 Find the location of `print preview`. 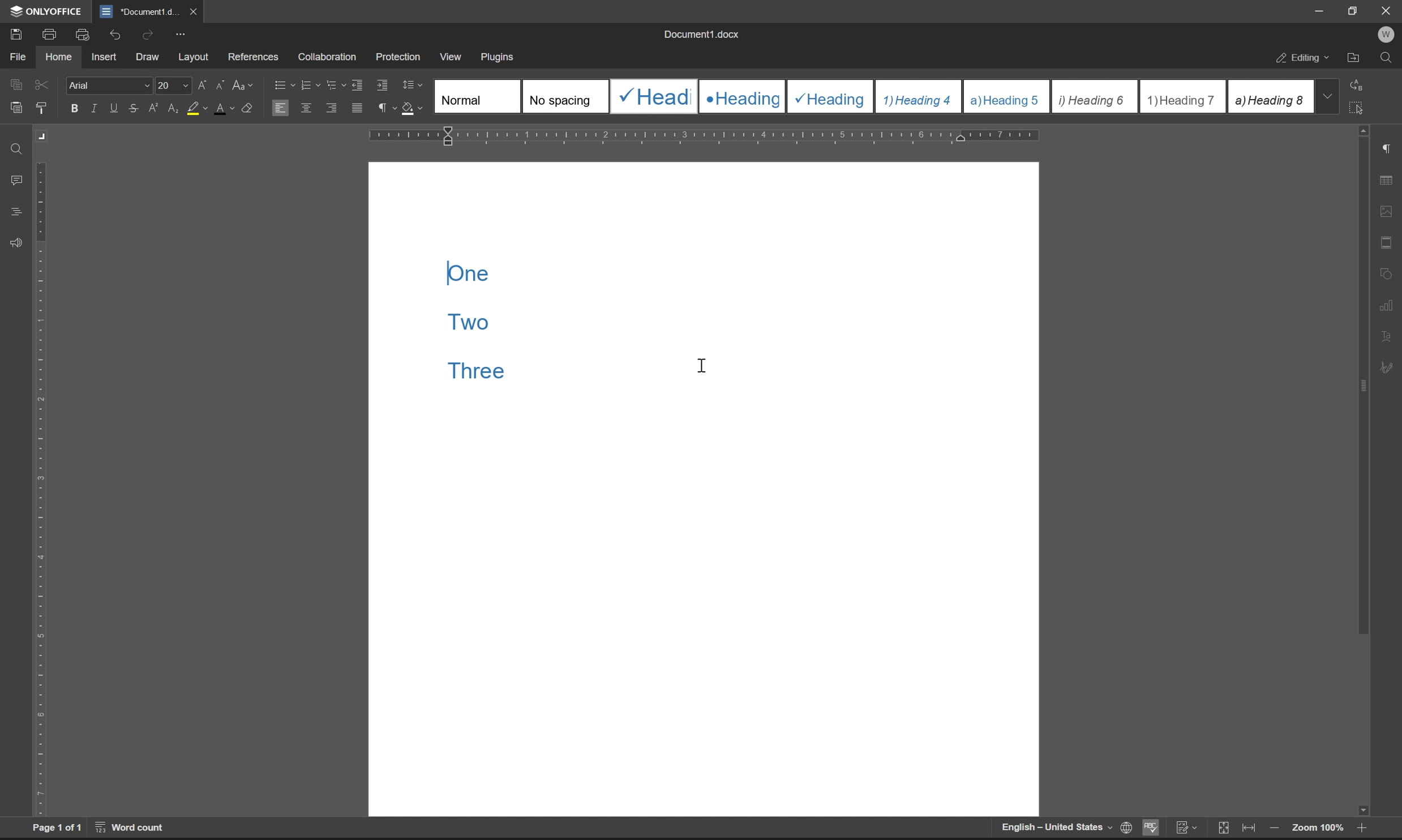

print preview is located at coordinates (84, 35).